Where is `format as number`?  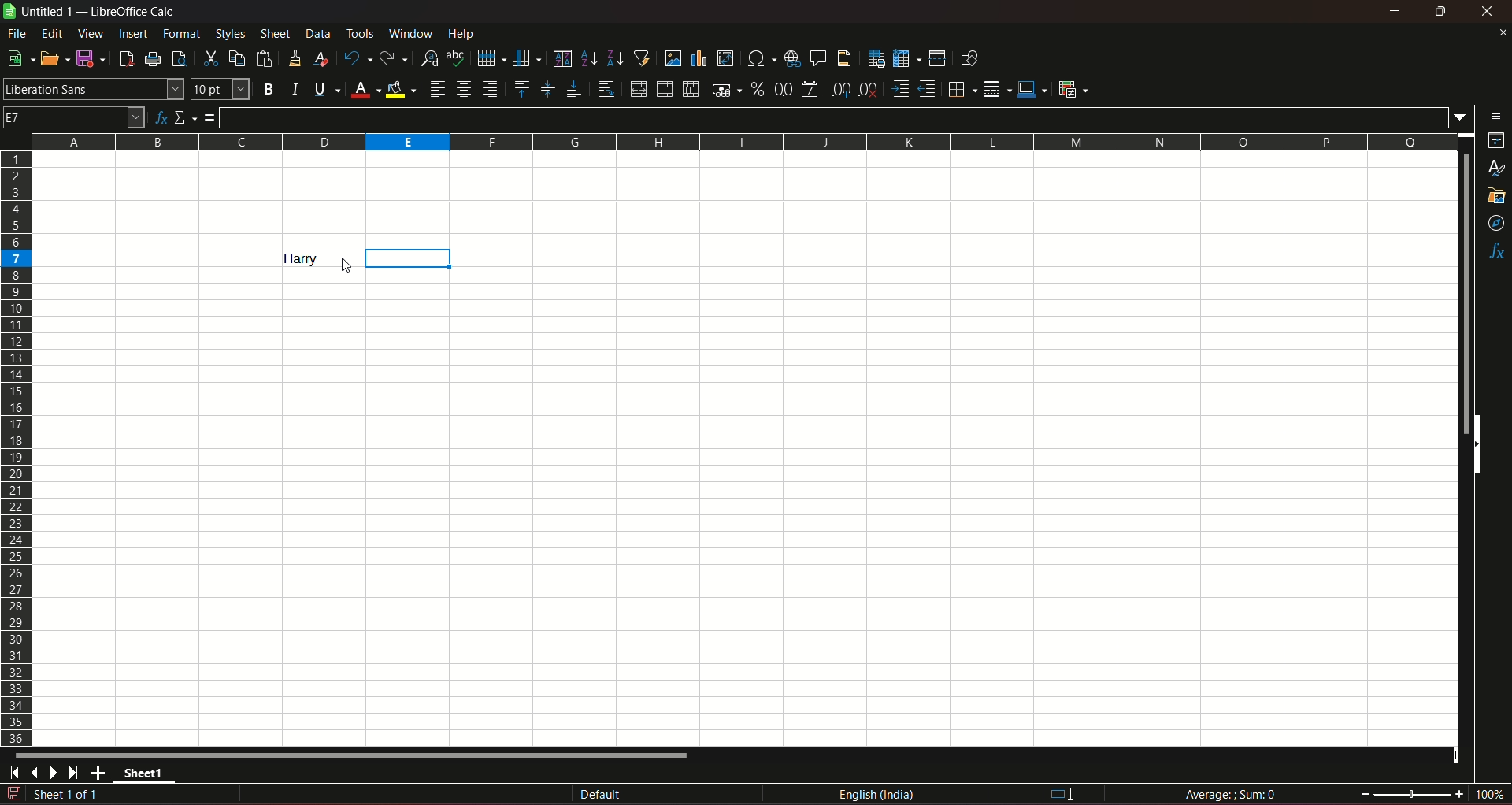
format as number is located at coordinates (783, 88).